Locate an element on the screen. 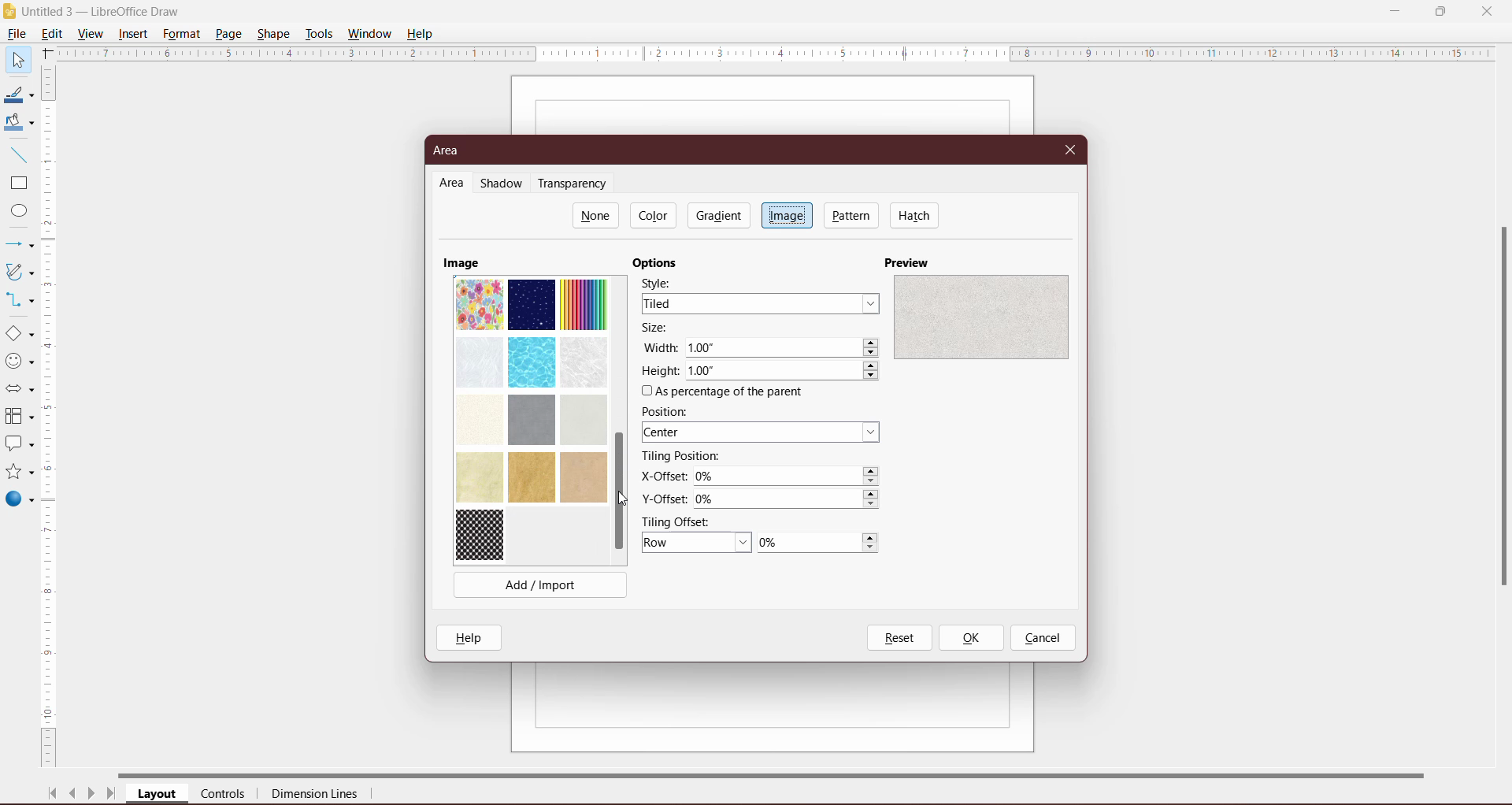 This screenshot has width=1512, height=805. Set  the X-Offset is located at coordinates (788, 477).